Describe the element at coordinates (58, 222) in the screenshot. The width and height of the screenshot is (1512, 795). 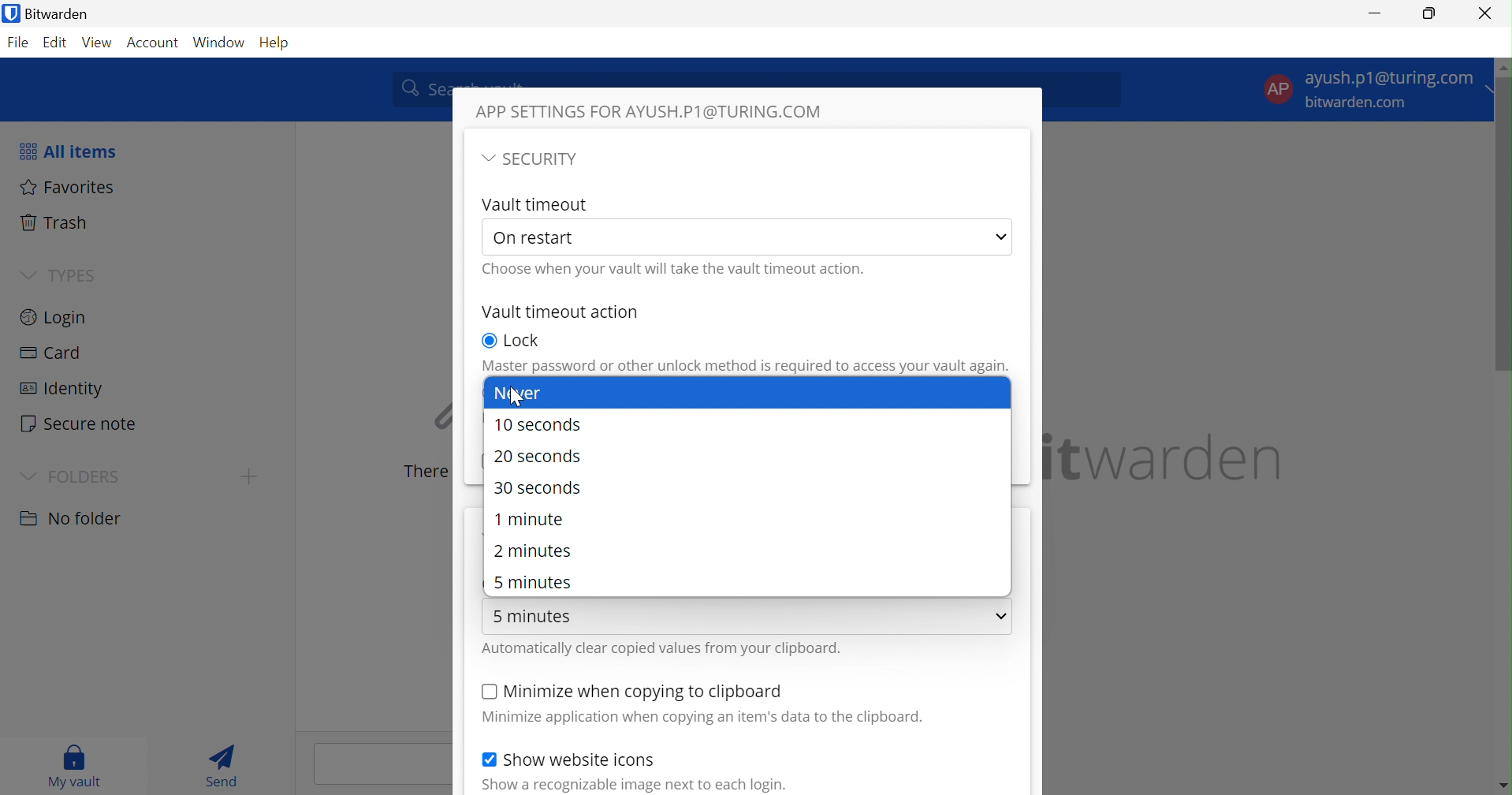
I see `Trash` at that location.